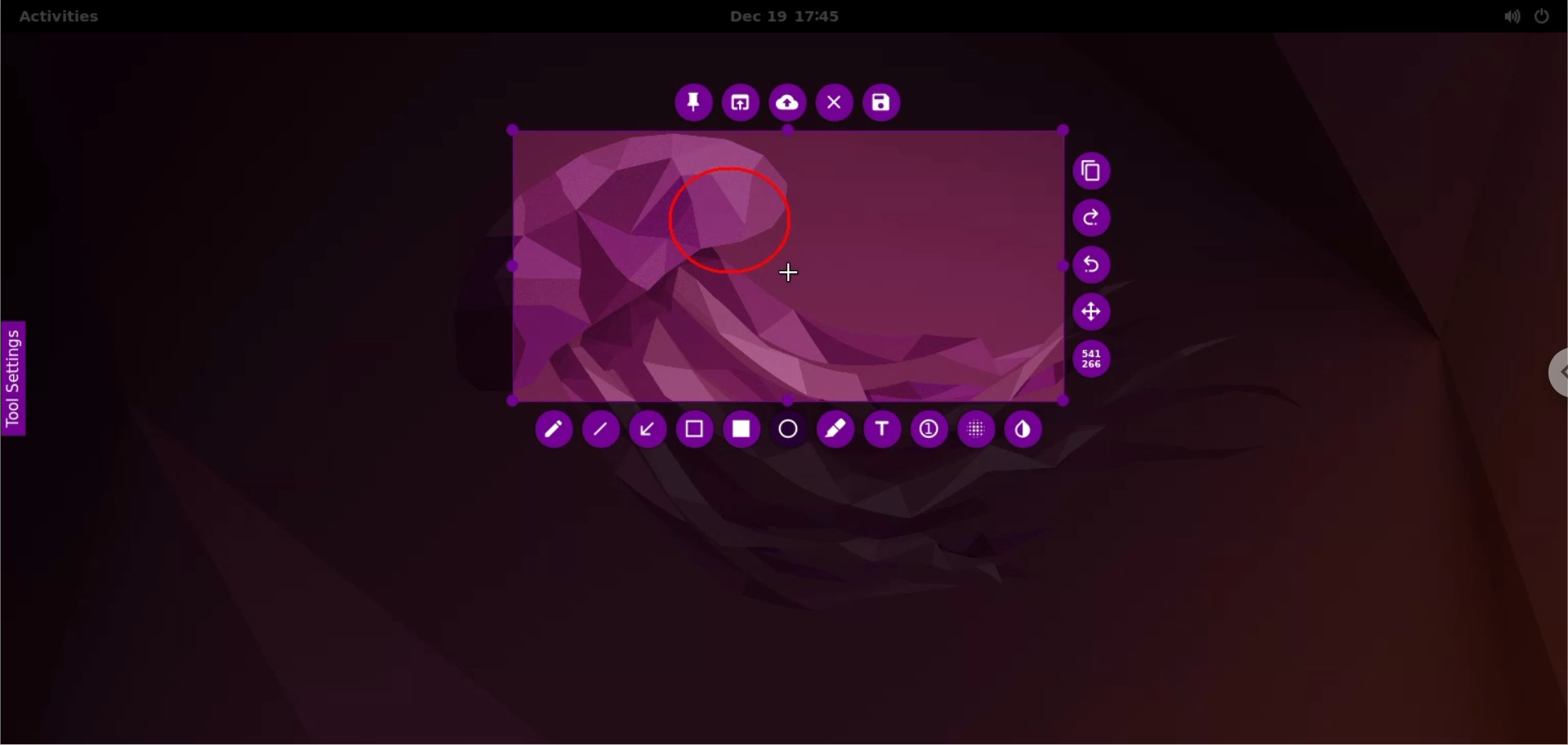 This screenshot has width=1568, height=745. I want to click on circle tool, so click(790, 431).